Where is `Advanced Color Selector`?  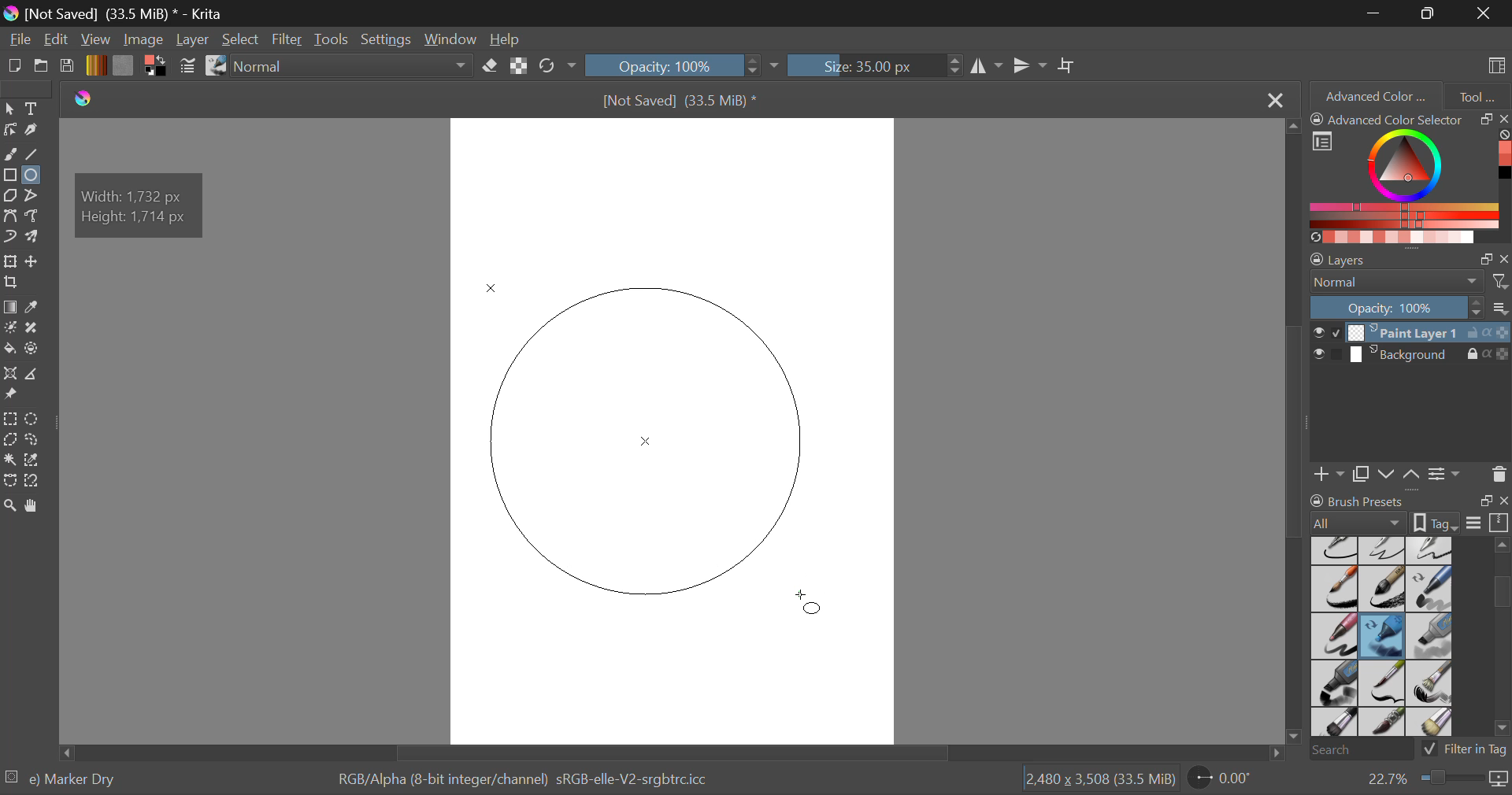 Advanced Color Selector is located at coordinates (1410, 177).